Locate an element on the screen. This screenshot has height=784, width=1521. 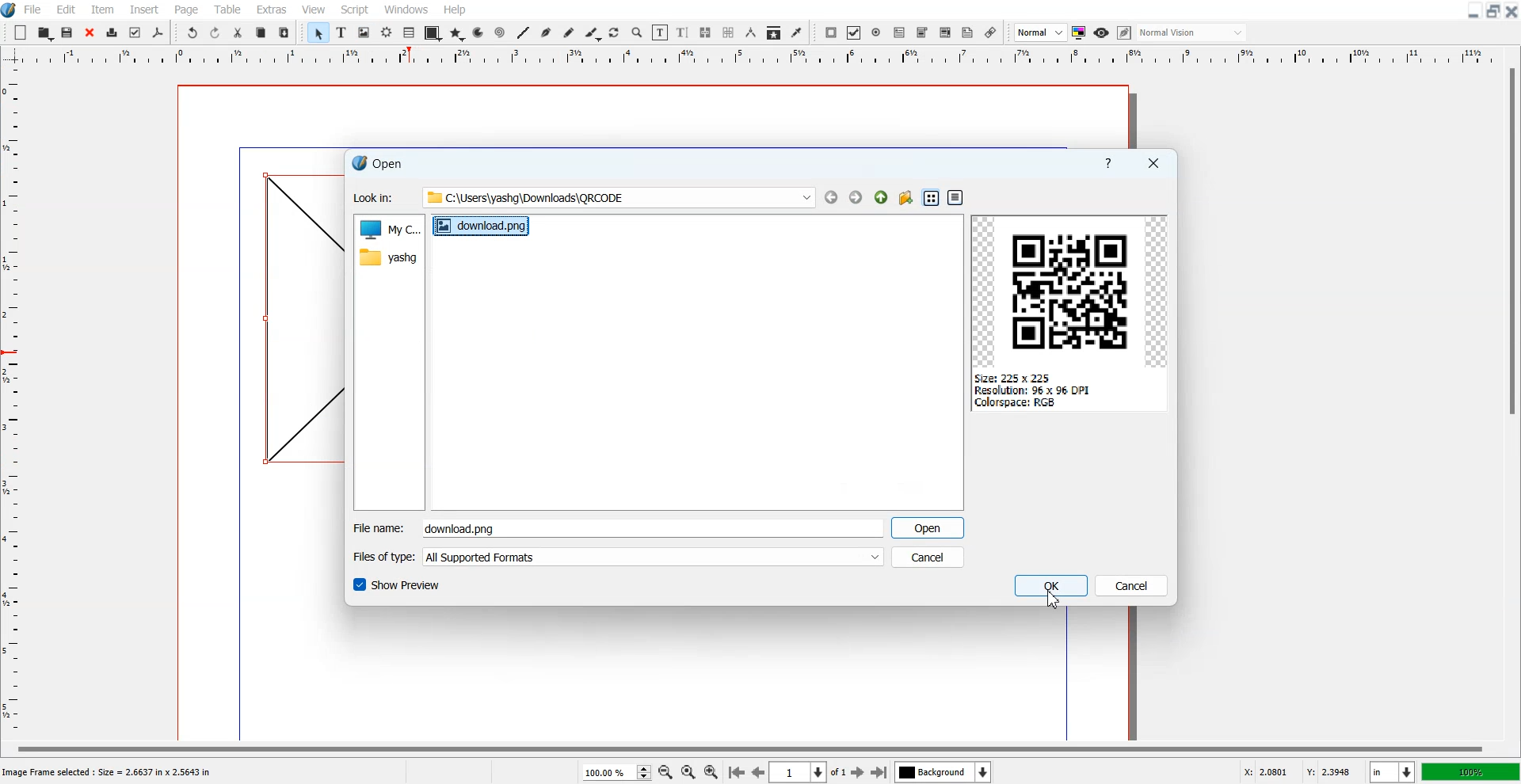
Freehand Line is located at coordinates (569, 32).